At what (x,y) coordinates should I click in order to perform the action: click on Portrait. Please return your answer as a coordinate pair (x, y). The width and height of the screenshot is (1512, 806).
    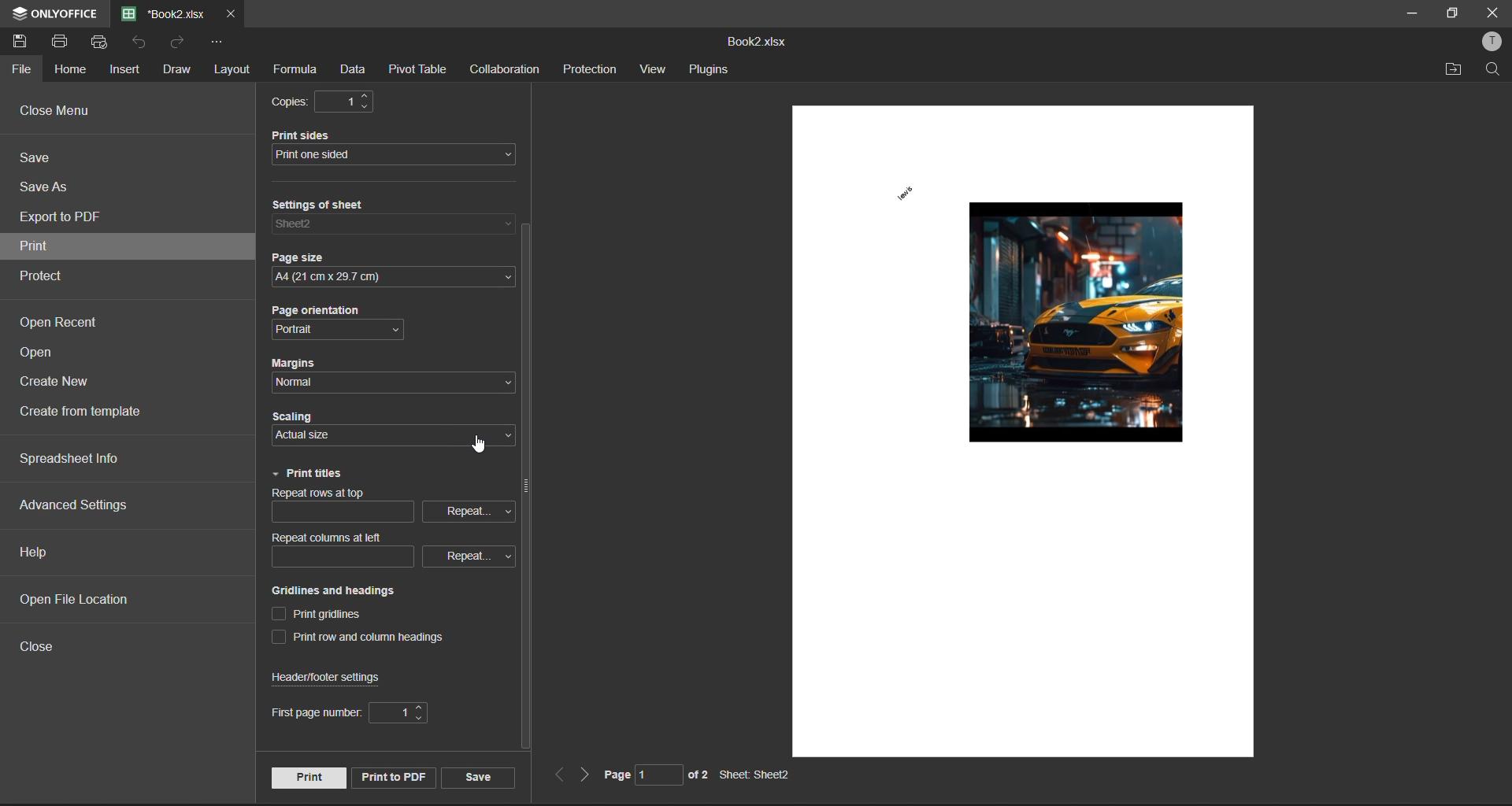
    Looking at the image, I should click on (313, 330).